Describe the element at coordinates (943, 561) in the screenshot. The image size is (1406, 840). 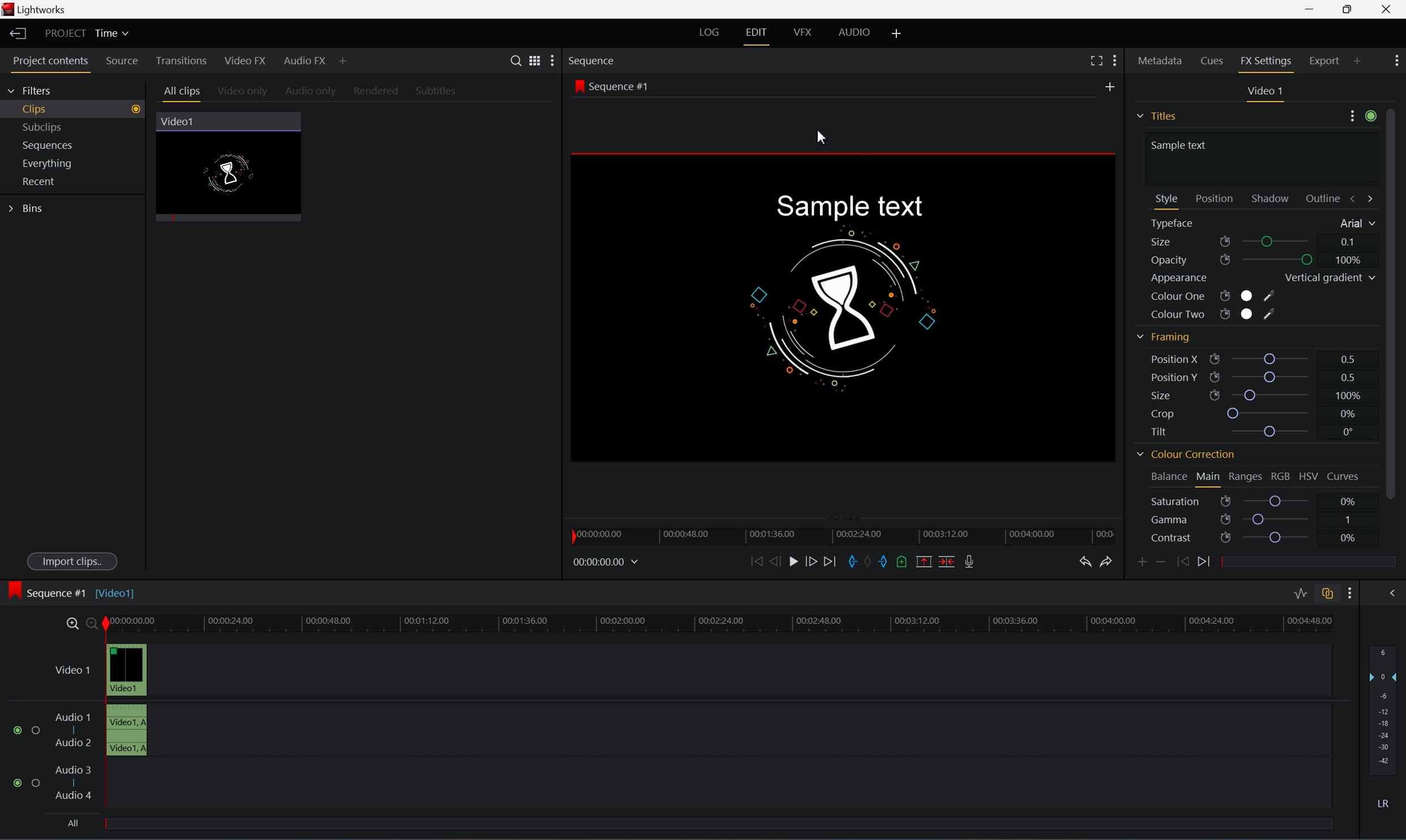
I see `delete/cut` at that location.